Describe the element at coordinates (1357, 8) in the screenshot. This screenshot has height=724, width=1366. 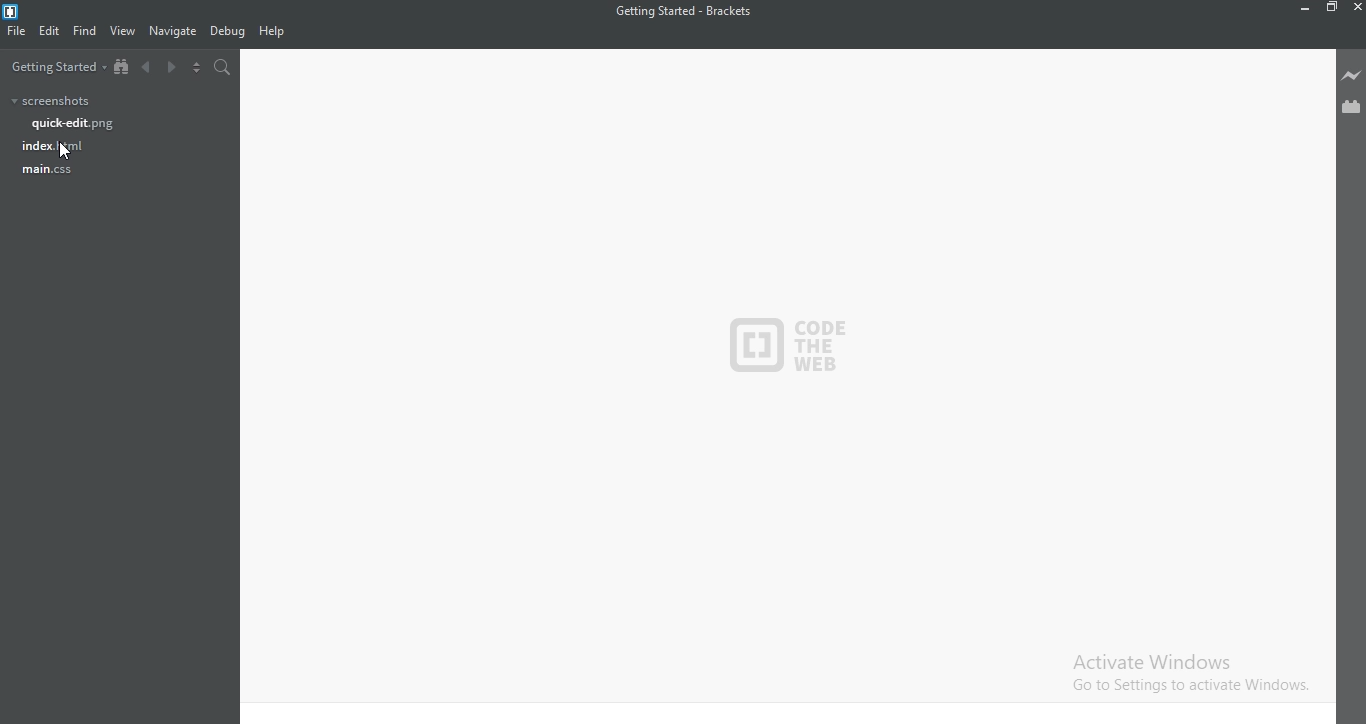
I see `close` at that location.